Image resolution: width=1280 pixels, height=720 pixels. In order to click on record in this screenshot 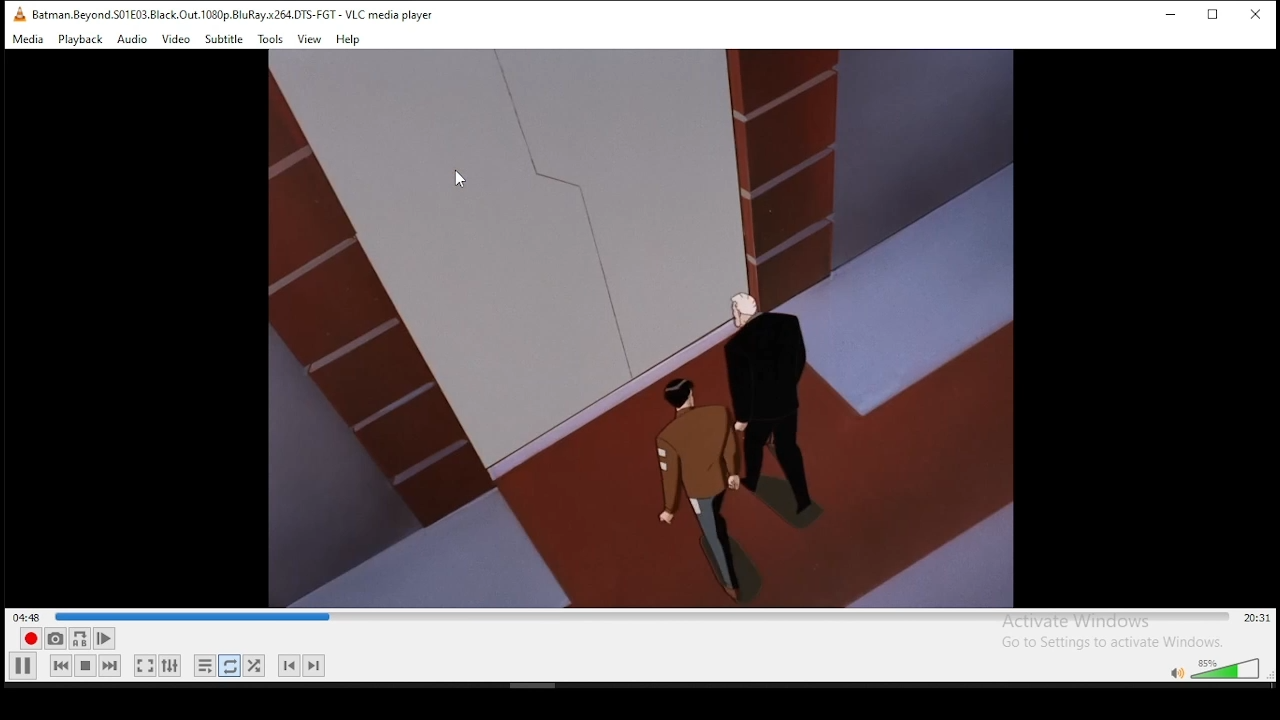, I will do `click(30, 639)`.